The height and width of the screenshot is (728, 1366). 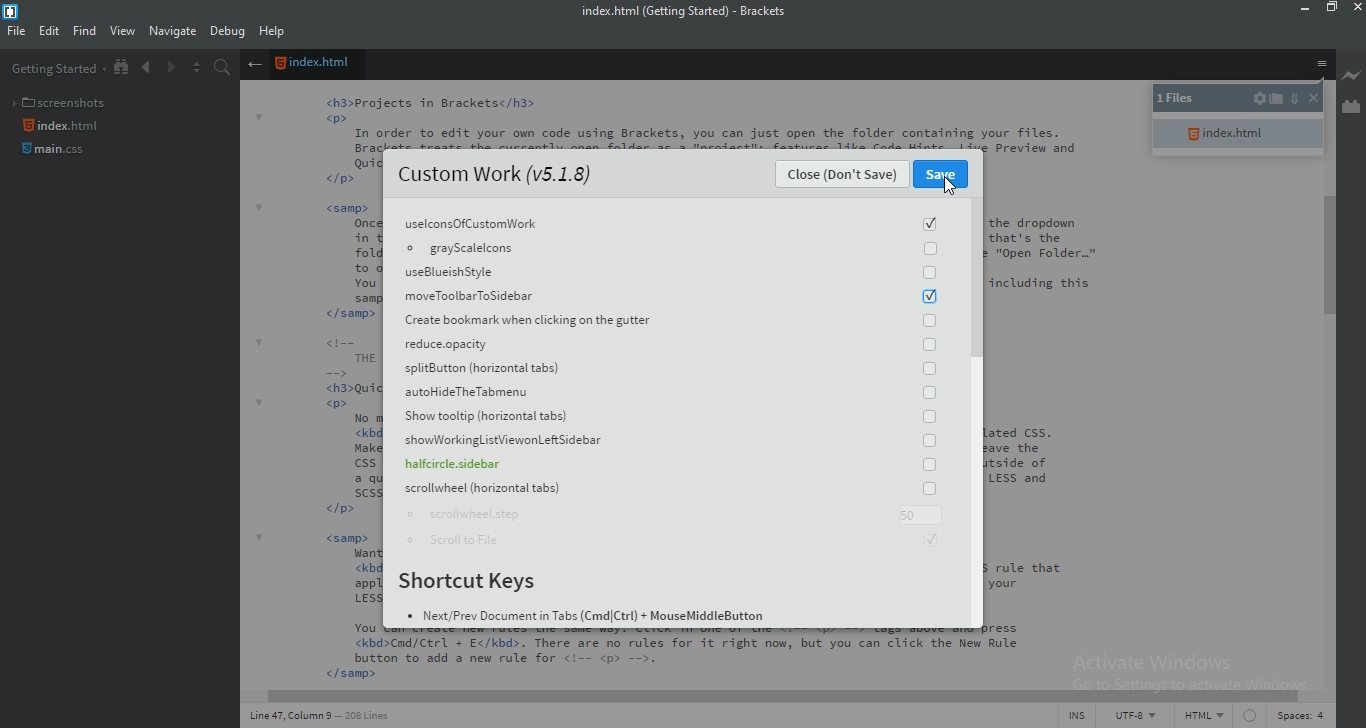 I want to click on Help, so click(x=274, y=33).